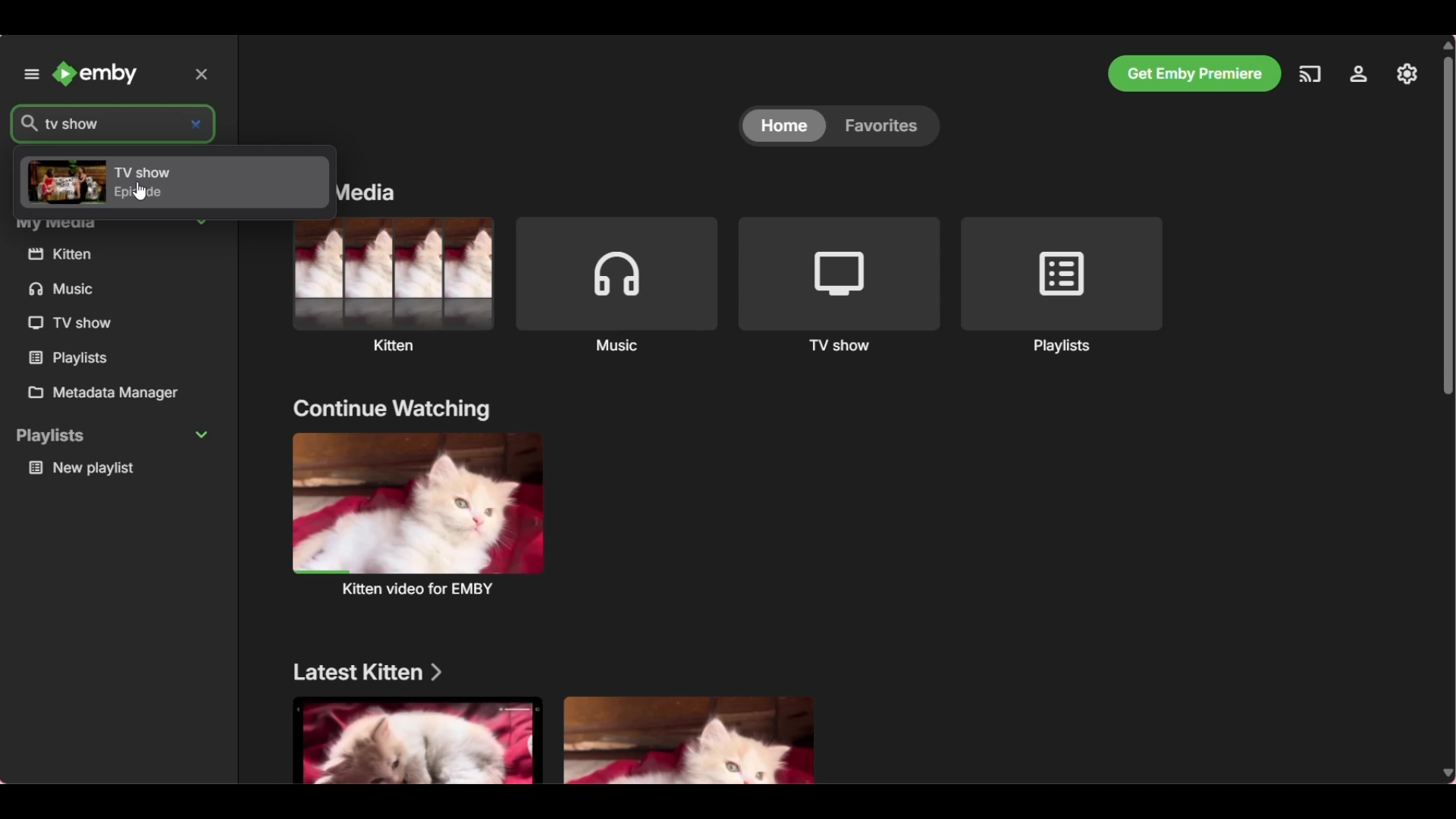 Image resolution: width=1456 pixels, height=819 pixels. Describe the element at coordinates (616, 283) in the screenshot. I see `Music ` at that location.